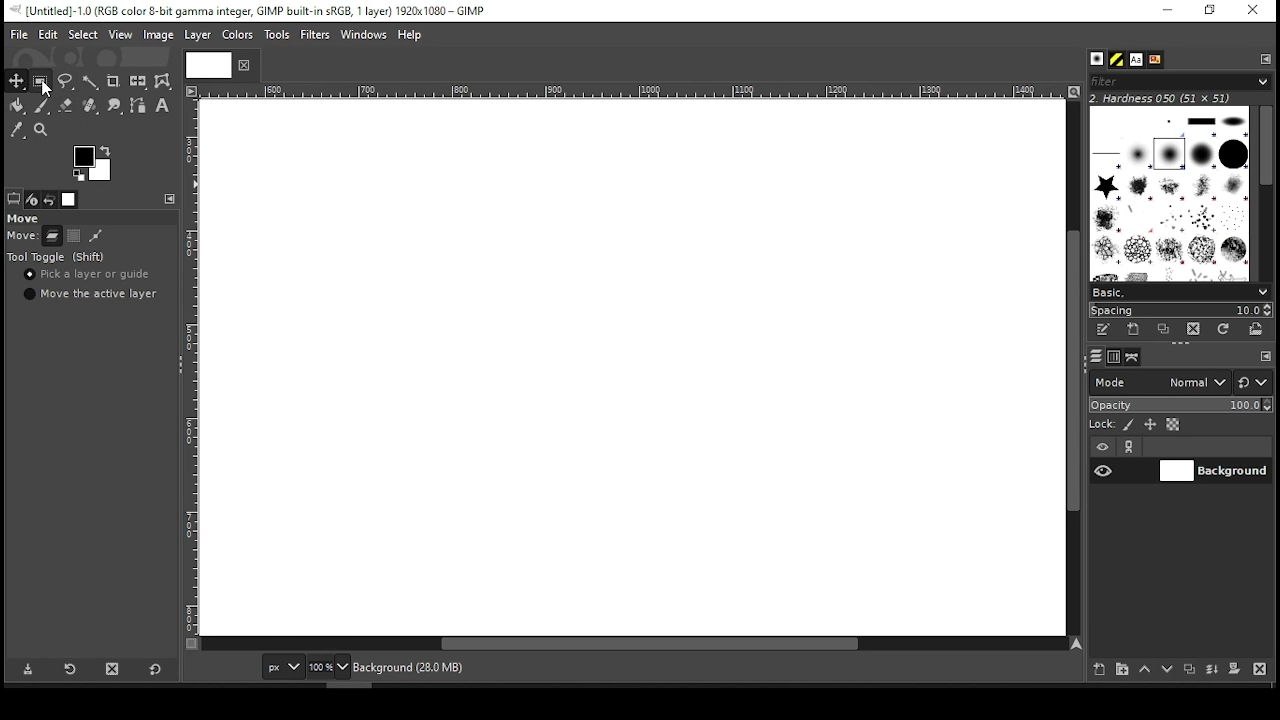 The height and width of the screenshot is (720, 1280). Describe the element at coordinates (284, 668) in the screenshot. I see `units` at that location.